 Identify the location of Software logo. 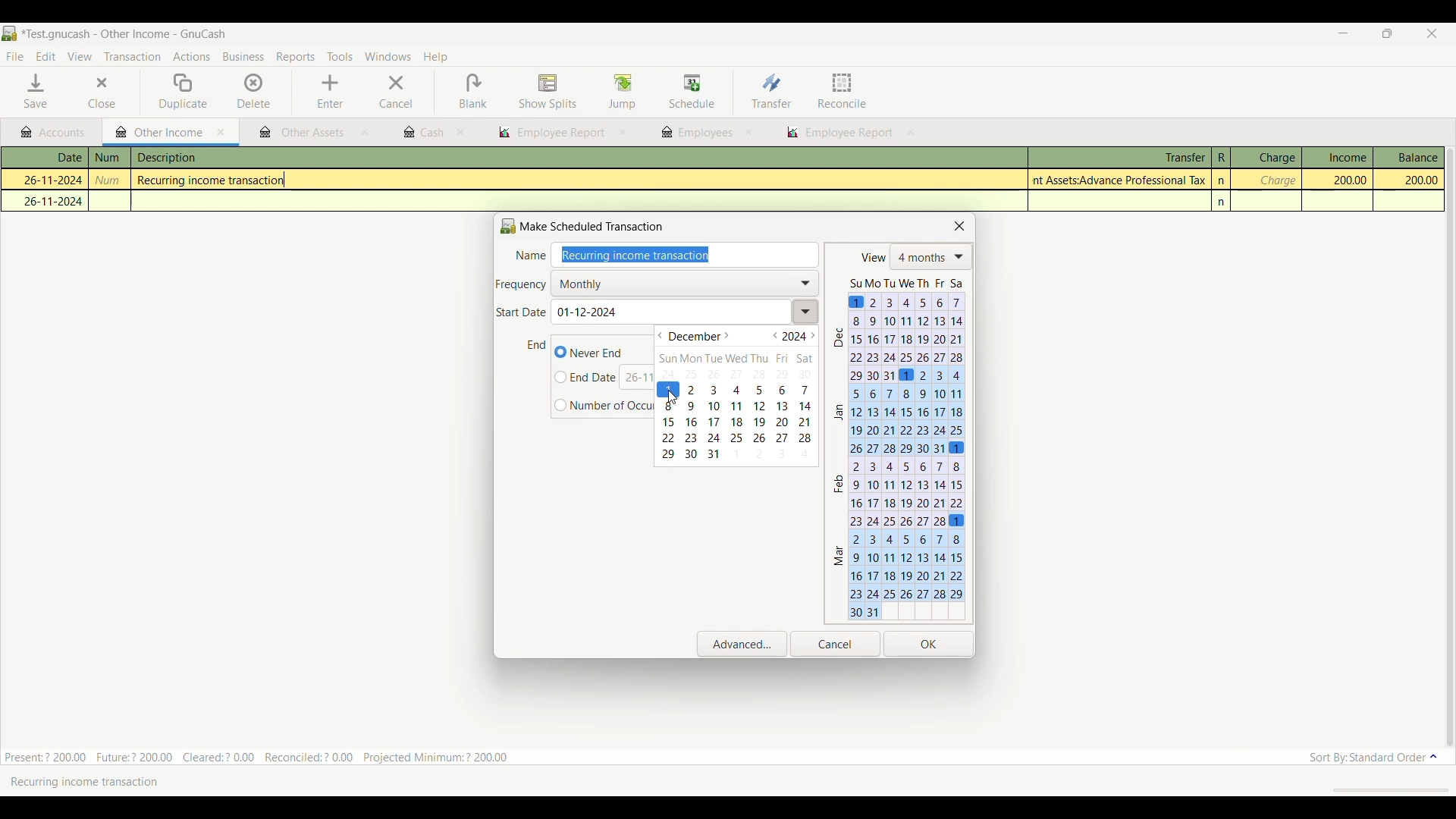
(10, 33).